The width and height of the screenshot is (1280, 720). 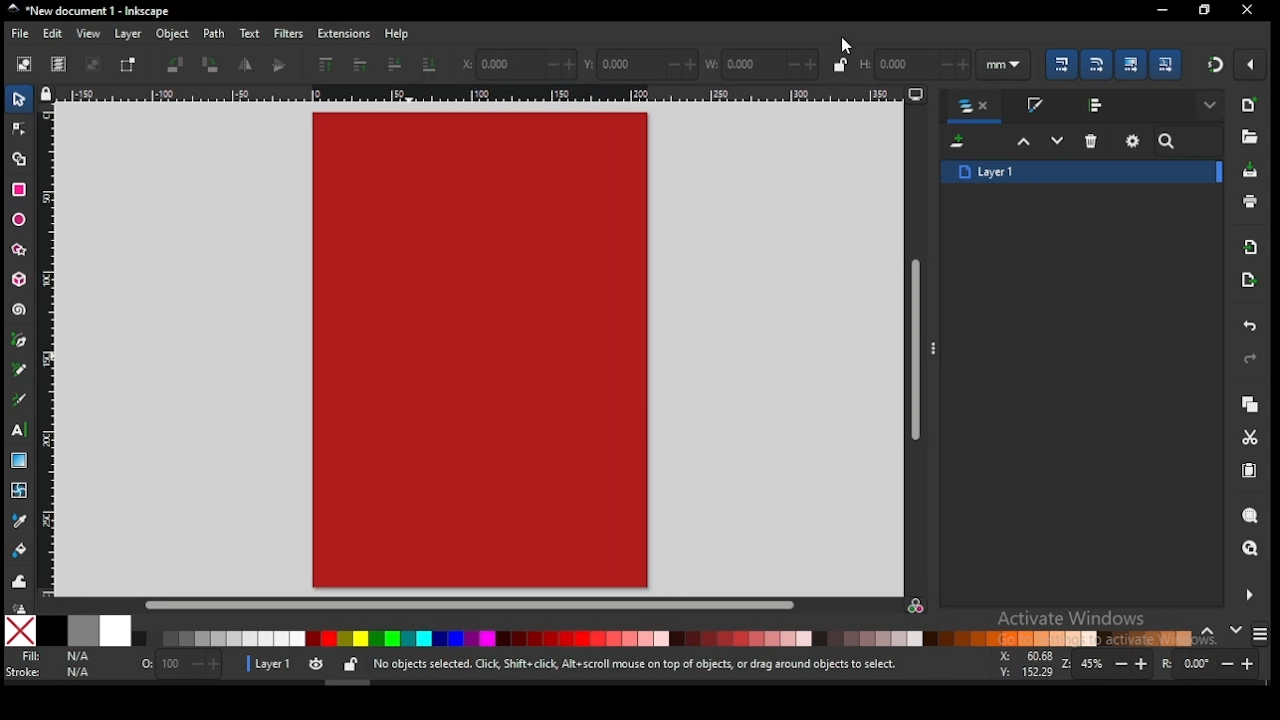 What do you see at coordinates (470, 605) in the screenshot?
I see `scroll bar` at bounding box center [470, 605].